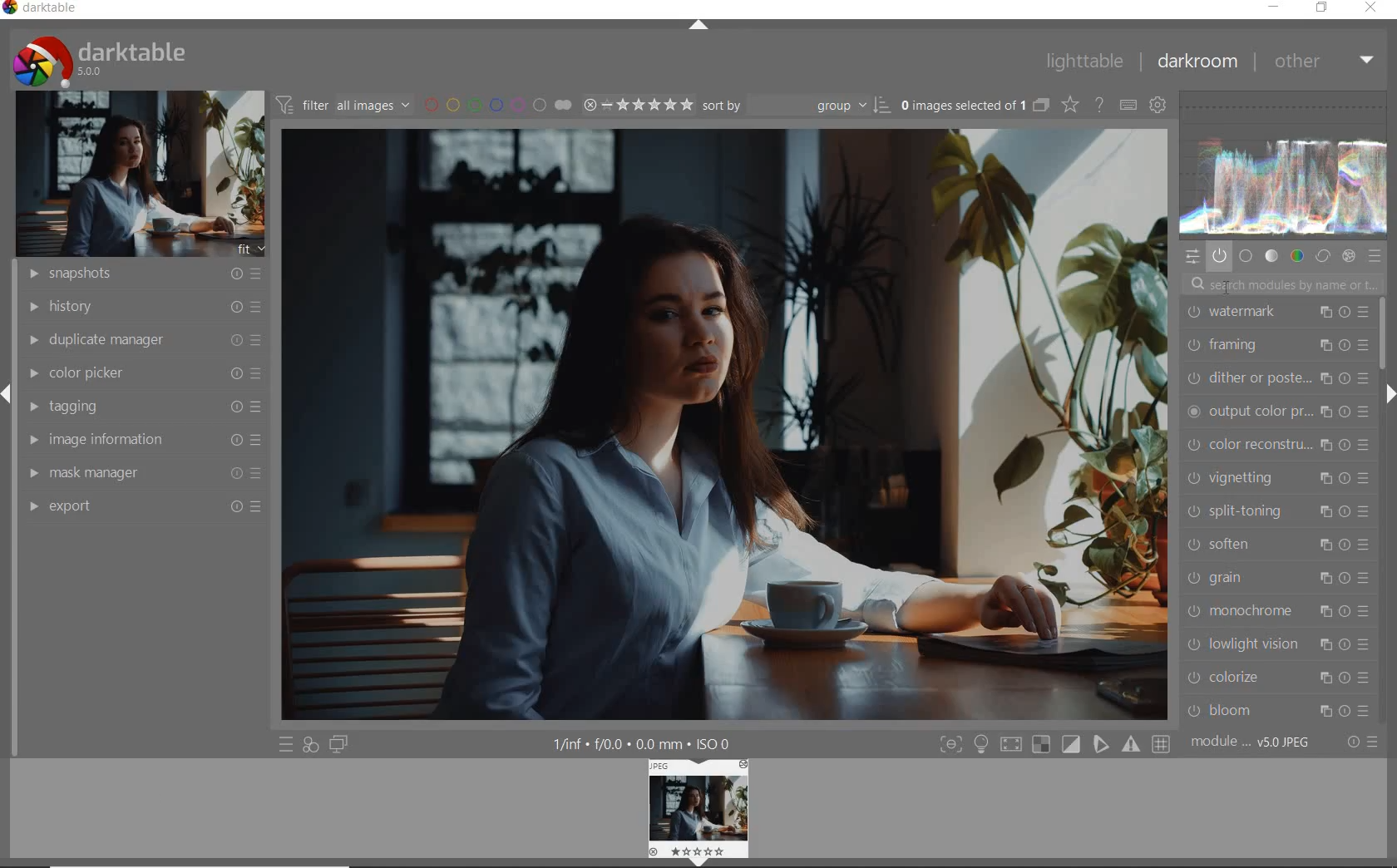  I want to click on vignetting, so click(1278, 479).